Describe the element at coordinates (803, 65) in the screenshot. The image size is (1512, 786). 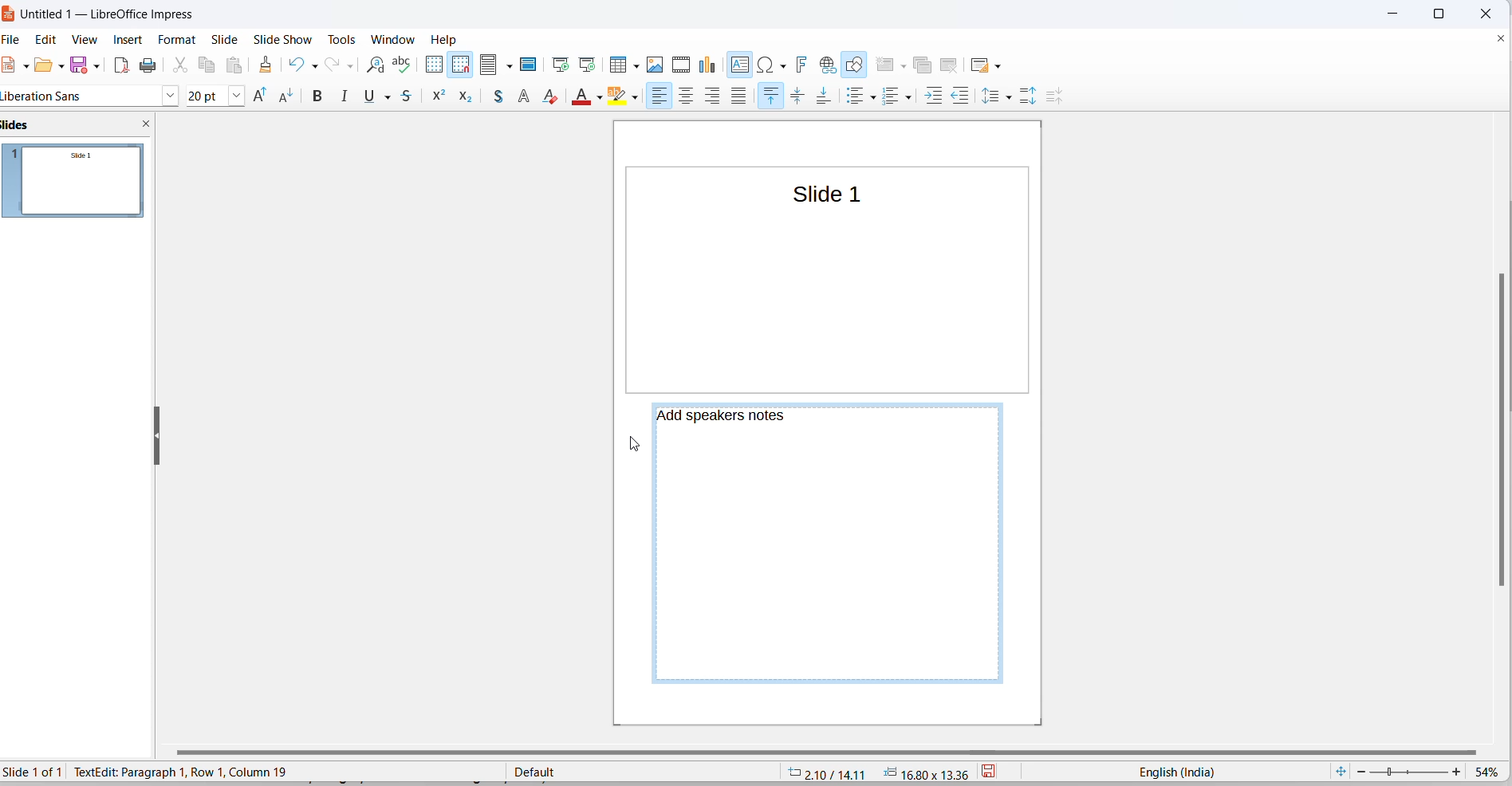
I see `insert fontwork text` at that location.